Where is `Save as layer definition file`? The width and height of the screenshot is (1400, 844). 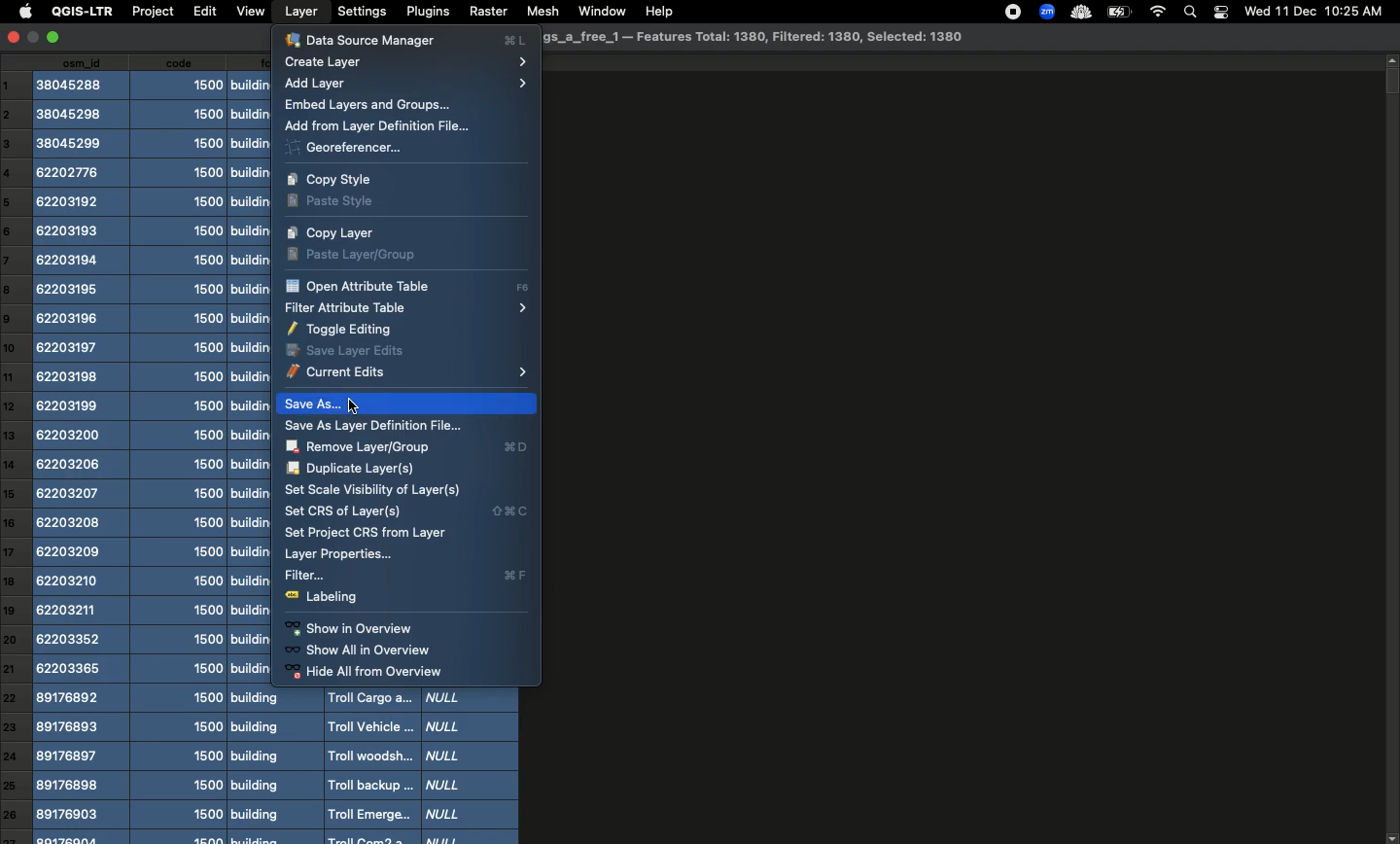
Save as layer definition file is located at coordinates (380, 426).